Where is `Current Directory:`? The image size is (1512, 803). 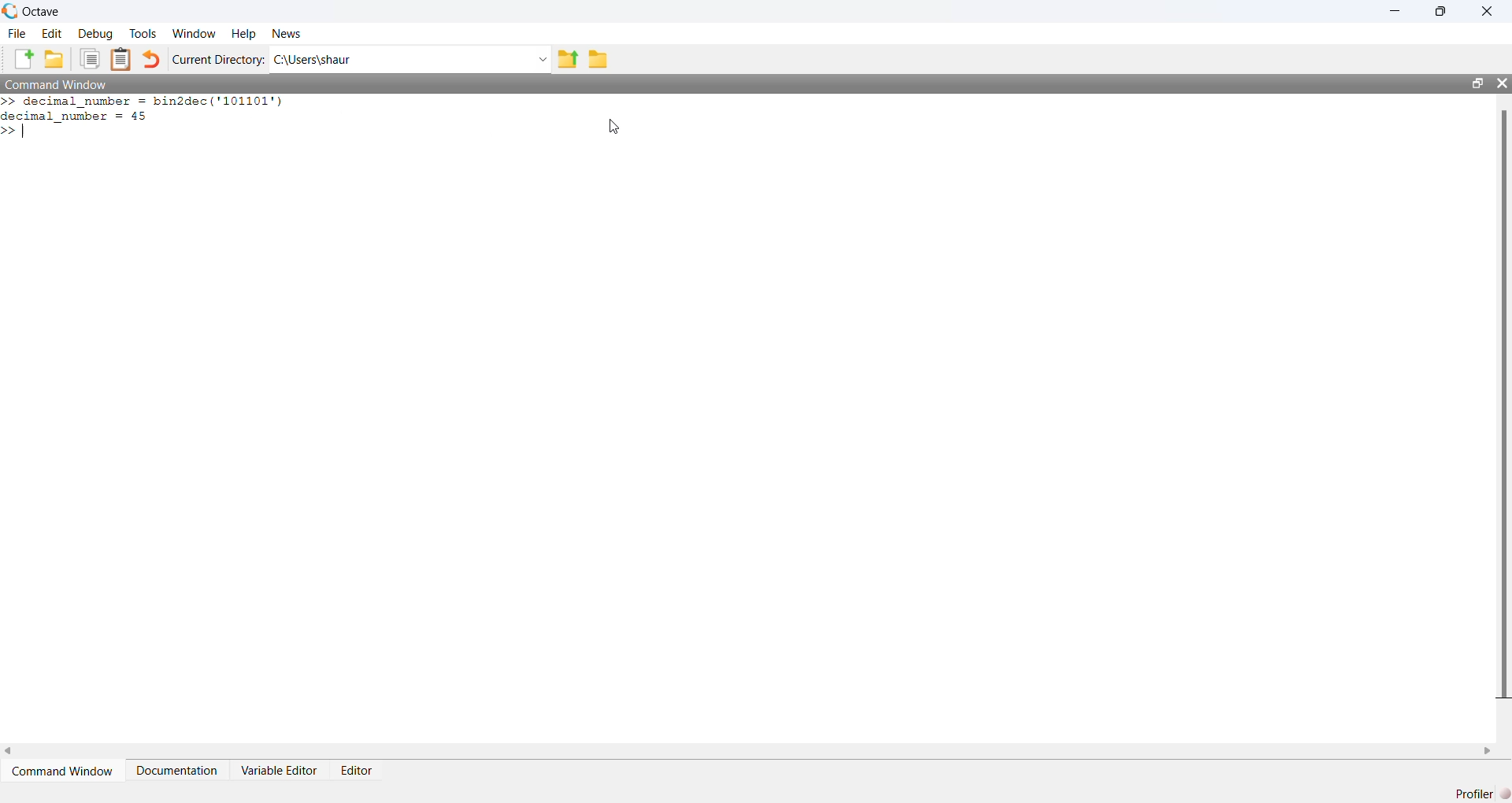
Current Directory: is located at coordinates (220, 60).